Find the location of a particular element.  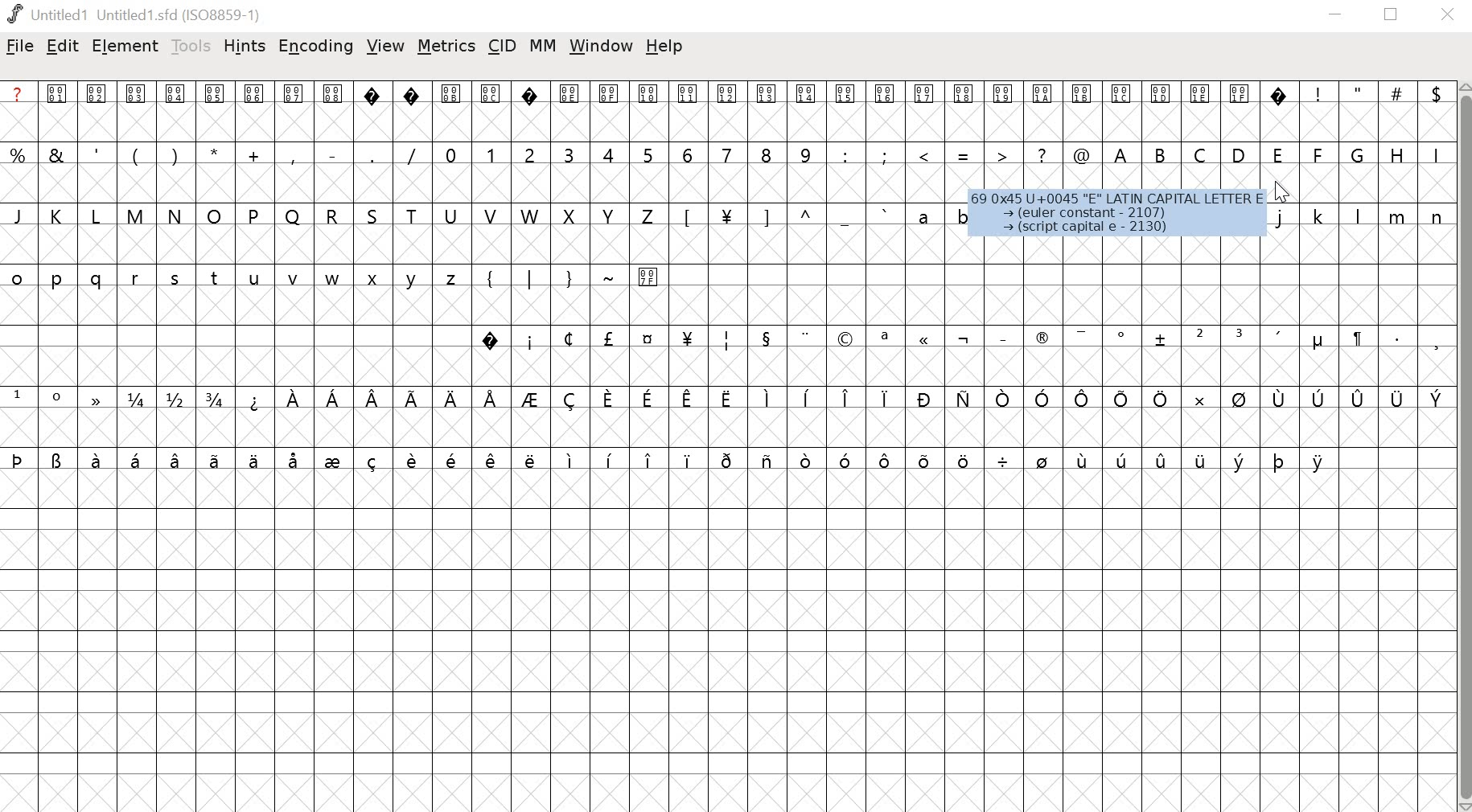

lowercase alphabets is located at coordinates (235, 278).